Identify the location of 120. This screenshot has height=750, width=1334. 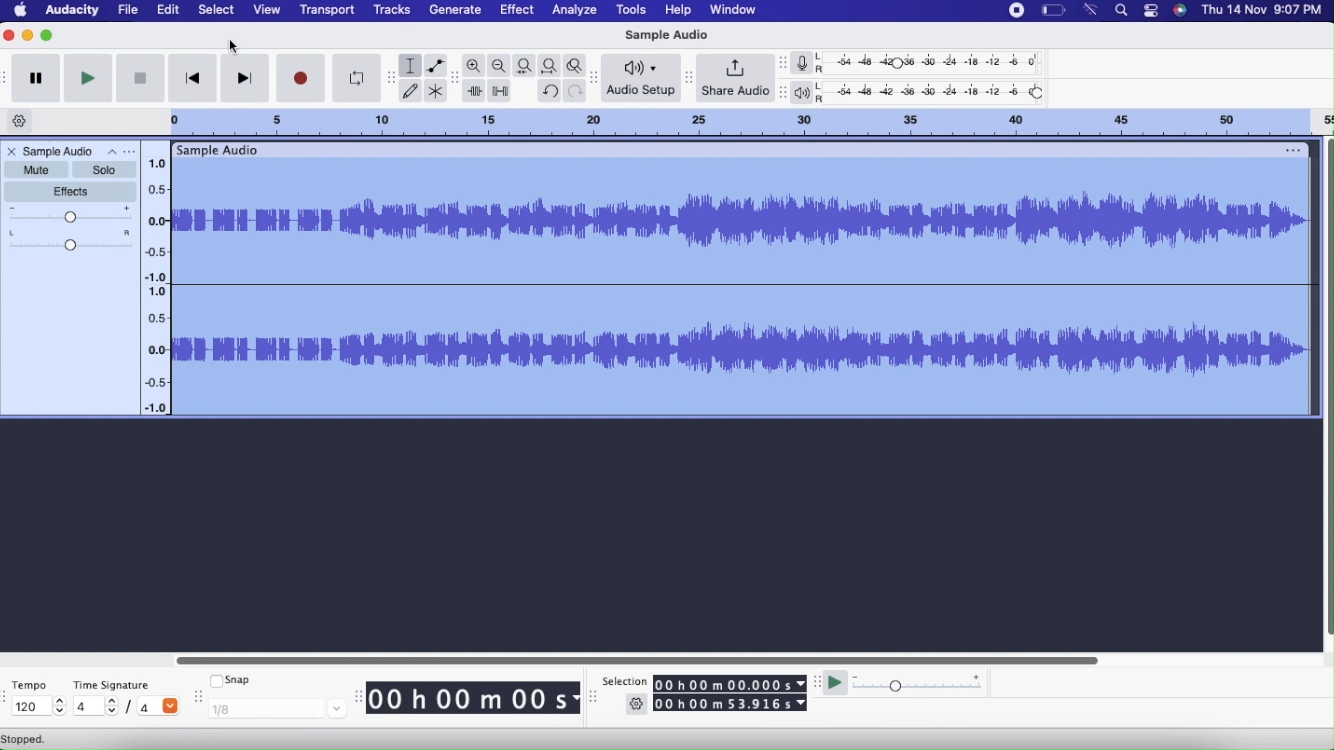
(40, 706).